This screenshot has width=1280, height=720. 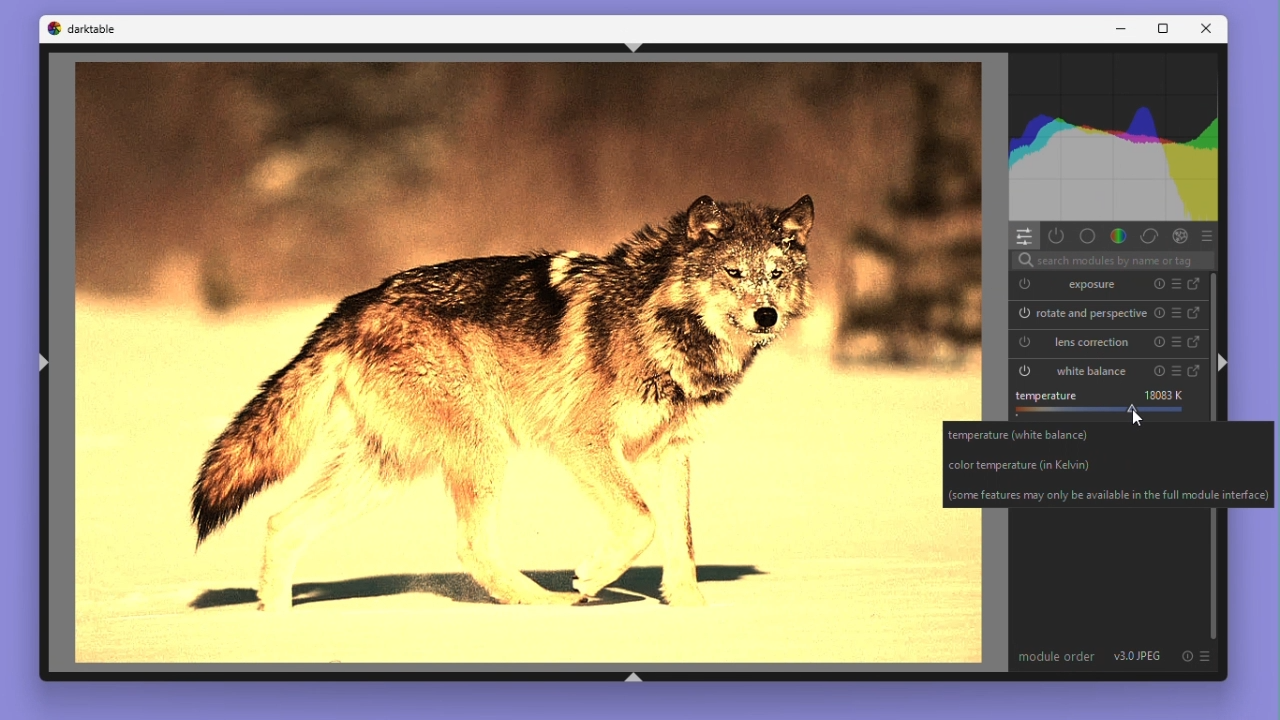 I want to click on Correct, so click(x=1149, y=235).